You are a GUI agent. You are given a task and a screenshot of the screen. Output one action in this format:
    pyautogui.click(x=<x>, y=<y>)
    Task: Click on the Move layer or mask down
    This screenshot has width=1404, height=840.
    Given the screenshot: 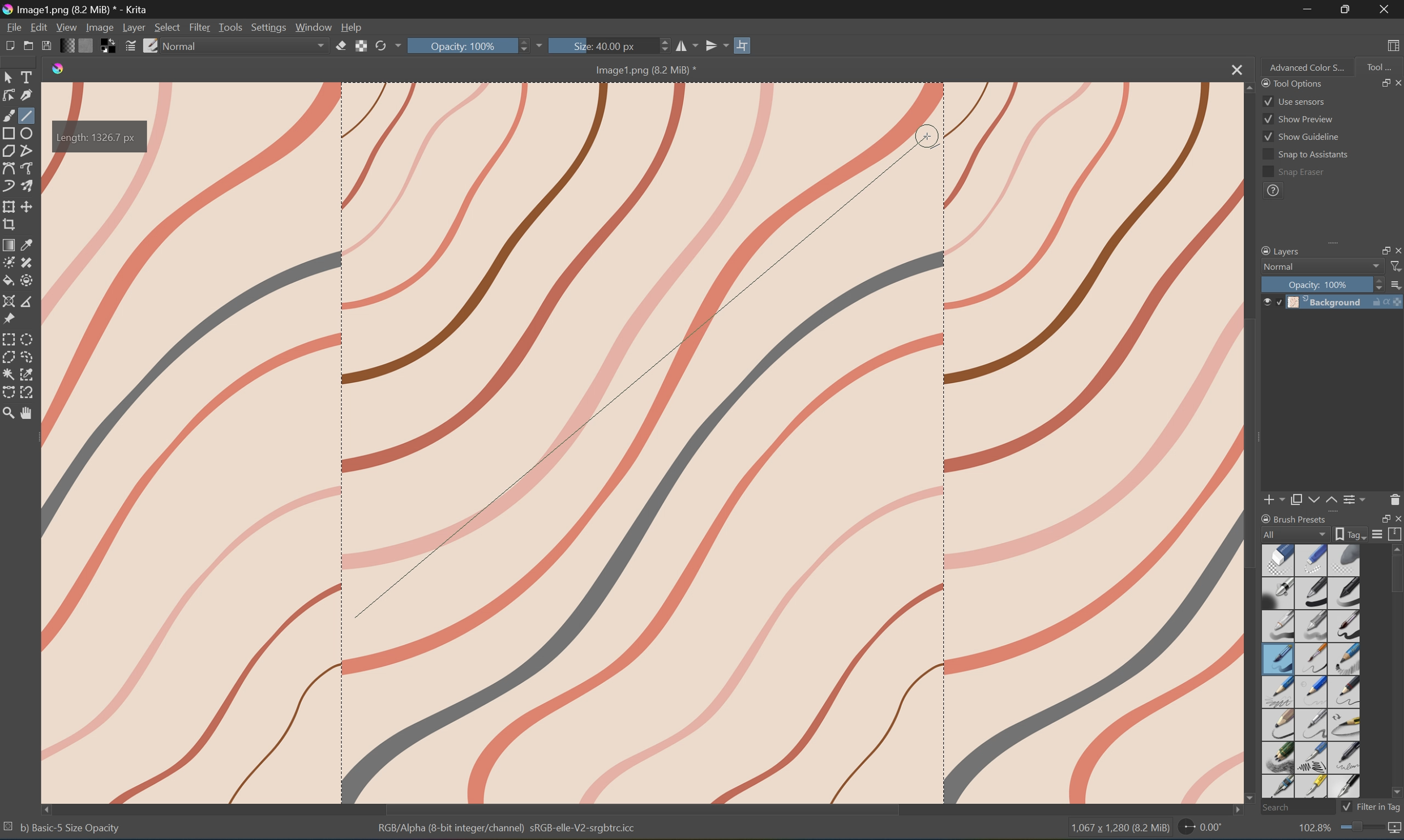 What is the action you would take?
    pyautogui.click(x=1312, y=499)
    